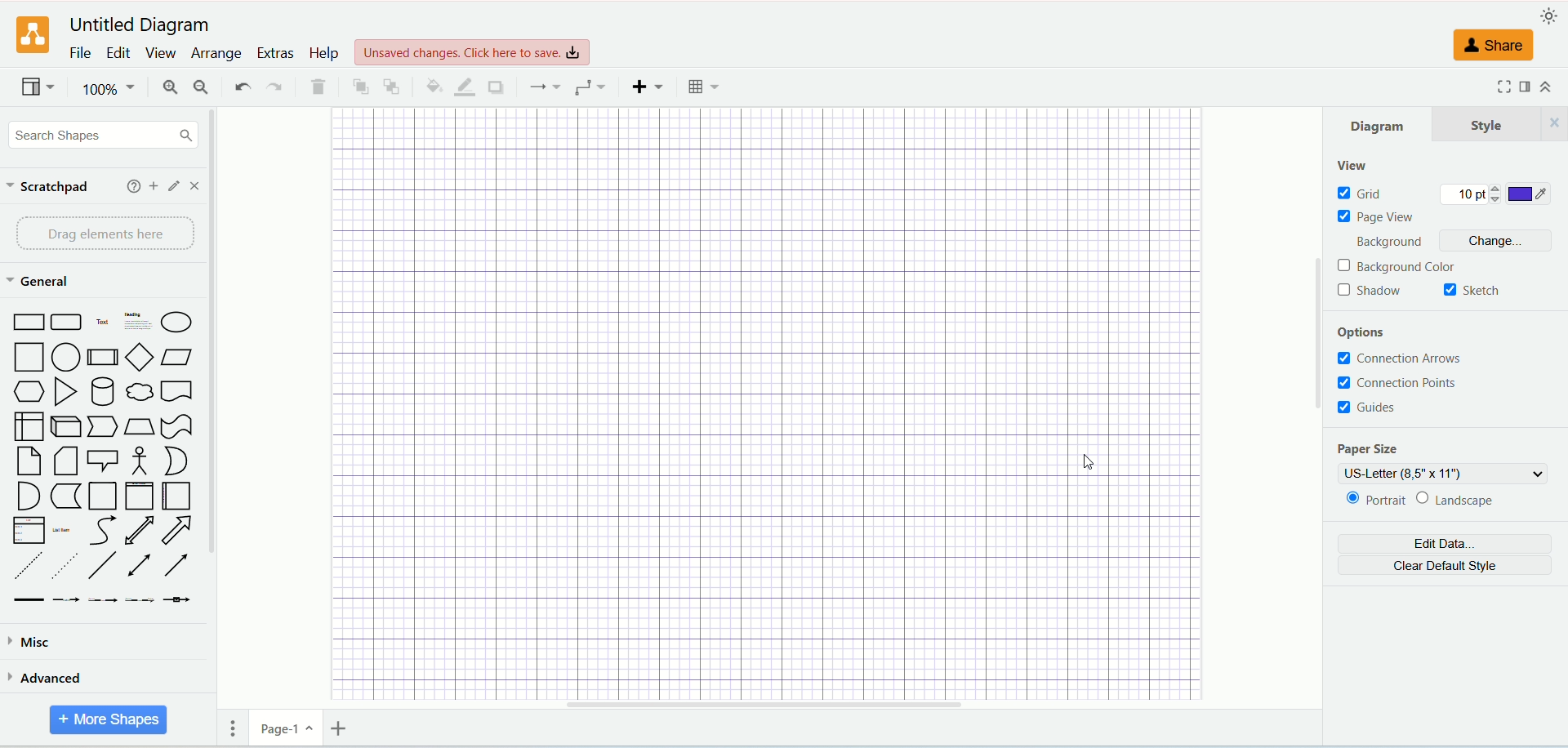  Describe the element at coordinates (103, 323) in the screenshot. I see `Text` at that location.